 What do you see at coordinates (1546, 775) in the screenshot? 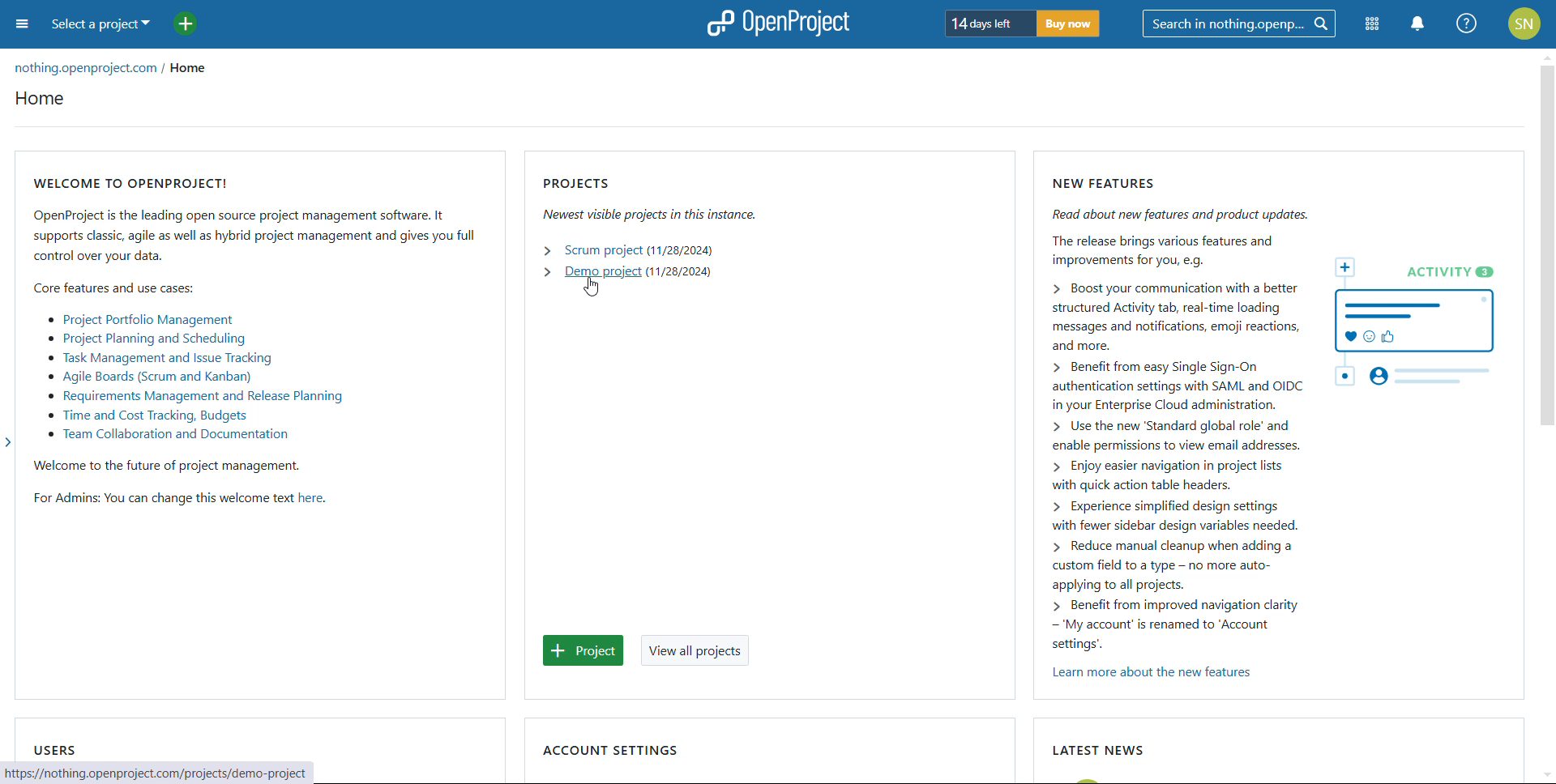
I see `scroll down` at bounding box center [1546, 775].